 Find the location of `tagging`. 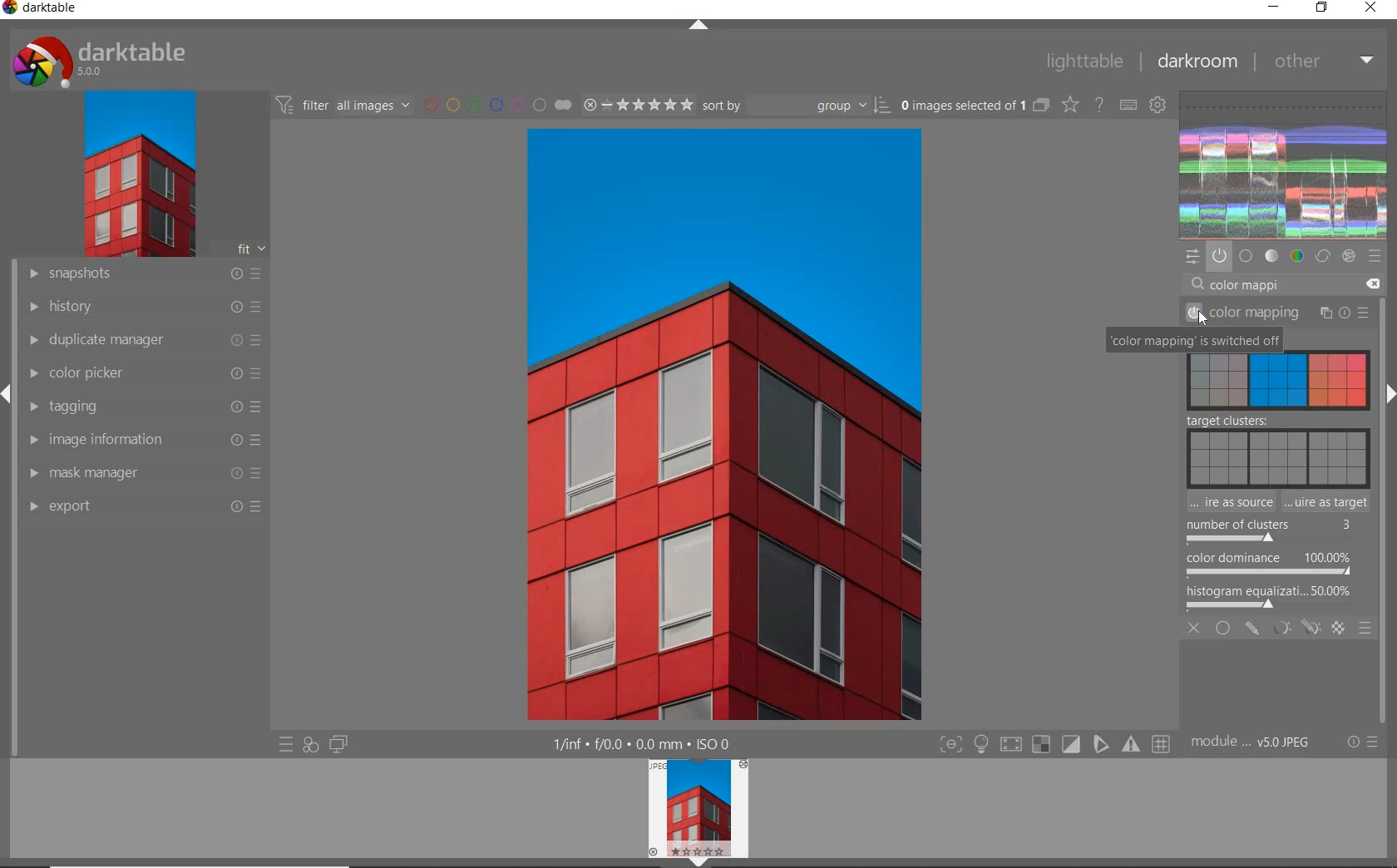

tagging is located at coordinates (143, 407).